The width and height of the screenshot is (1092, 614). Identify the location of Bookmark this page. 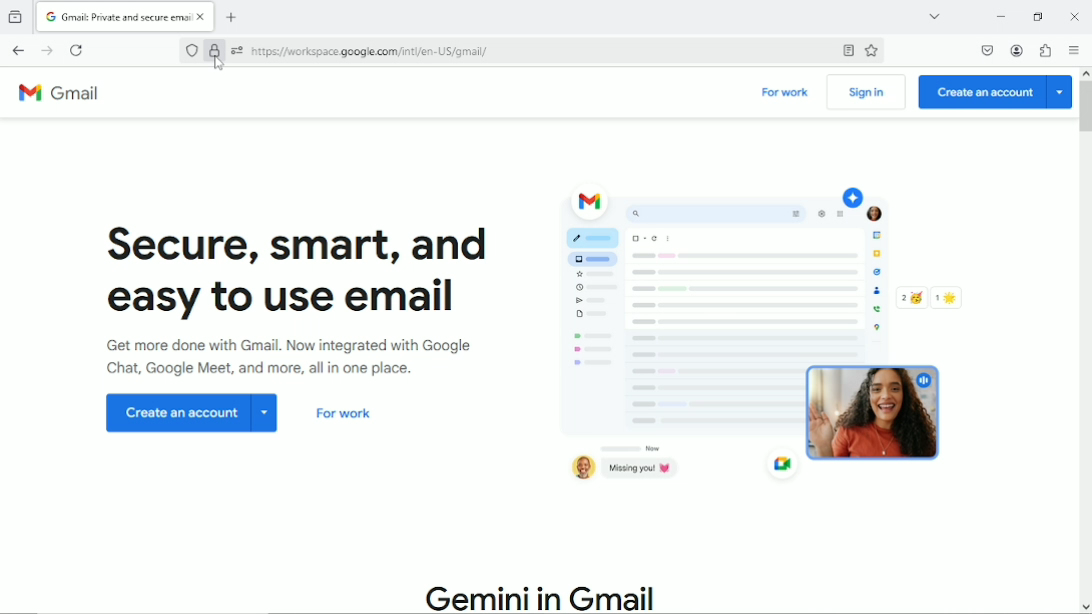
(871, 52).